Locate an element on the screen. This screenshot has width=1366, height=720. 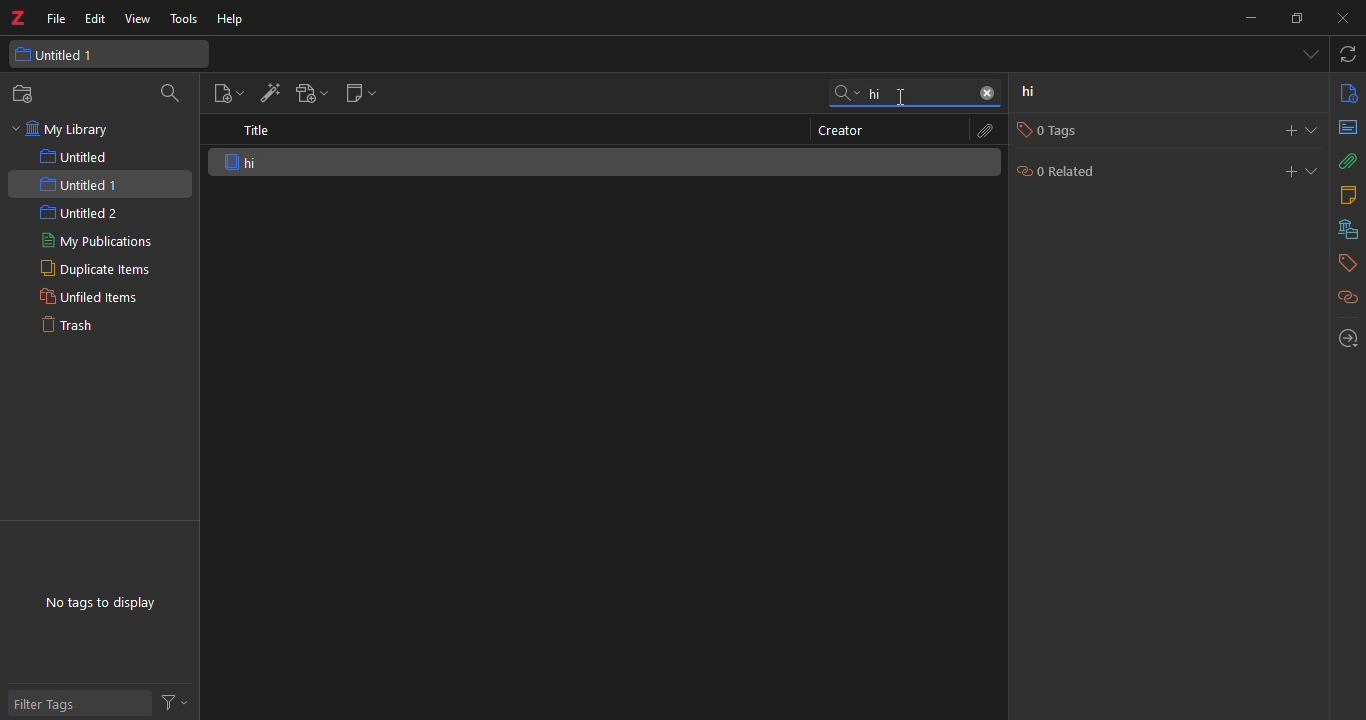
search is located at coordinates (166, 95).